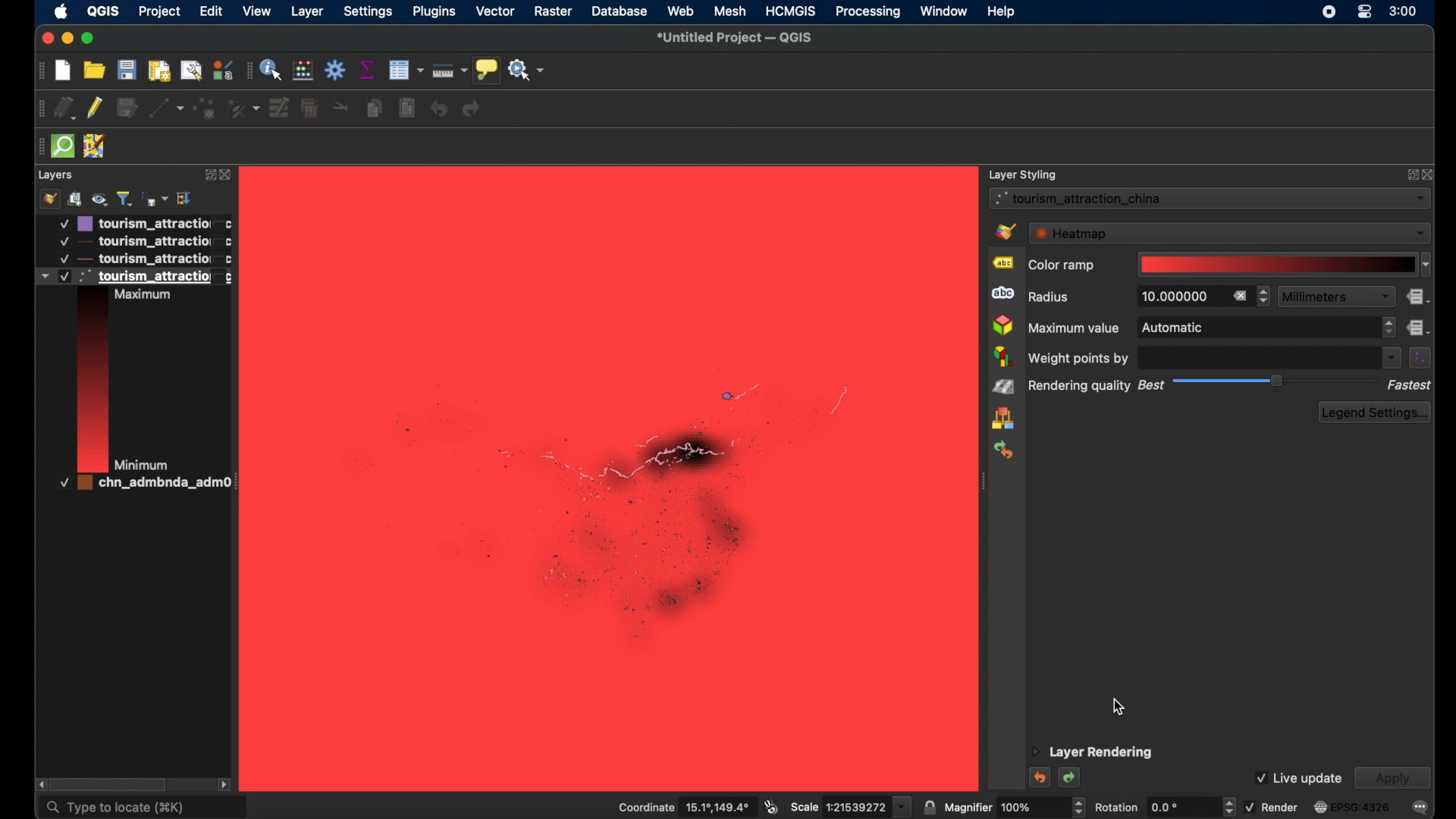 The width and height of the screenshot is (1456, 819). I want to click on add point features, so click(206, 107).